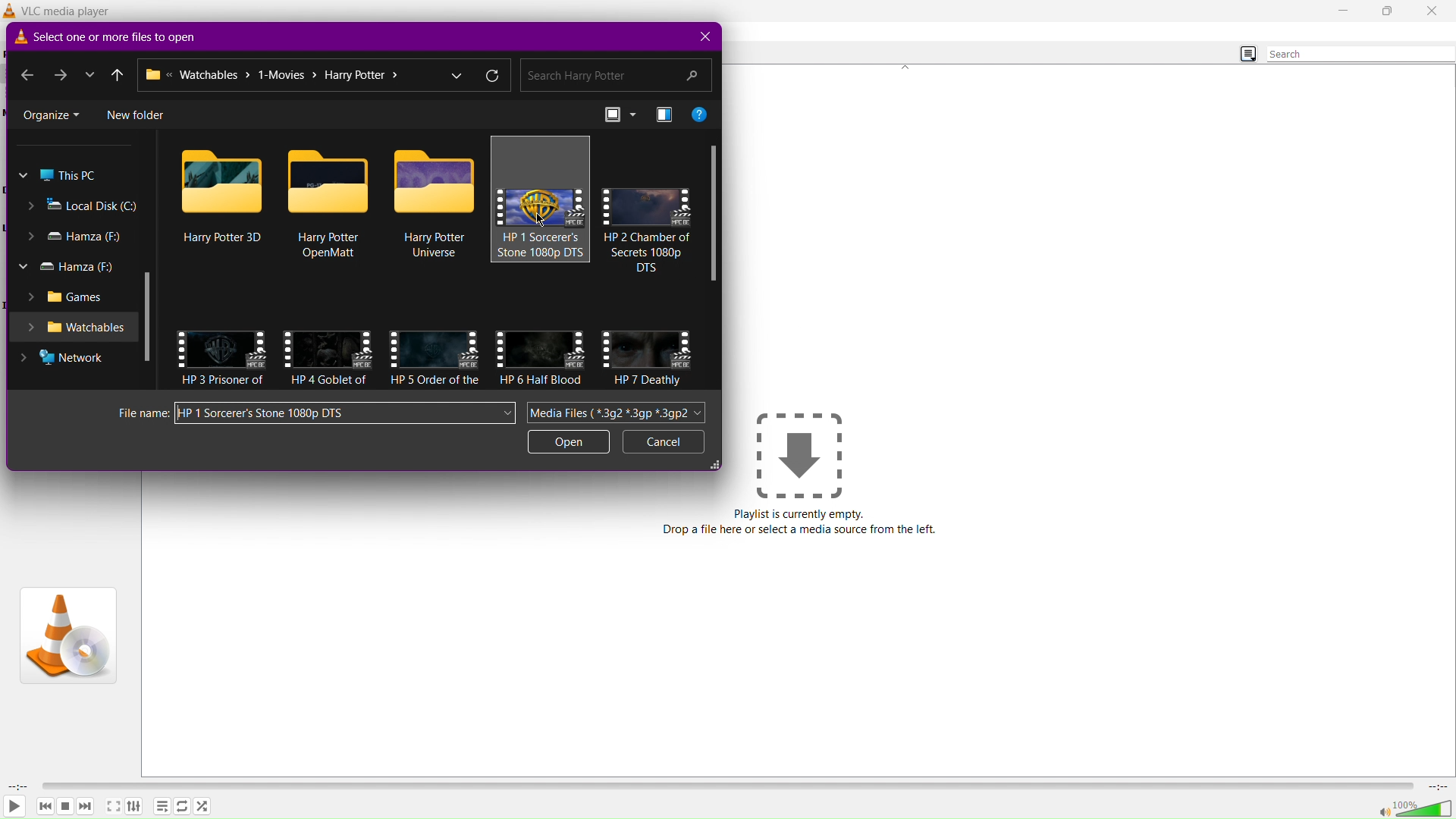 The width and height of the screenshot is (1456, 819). I want to click on harry potter , so click(648, 381).